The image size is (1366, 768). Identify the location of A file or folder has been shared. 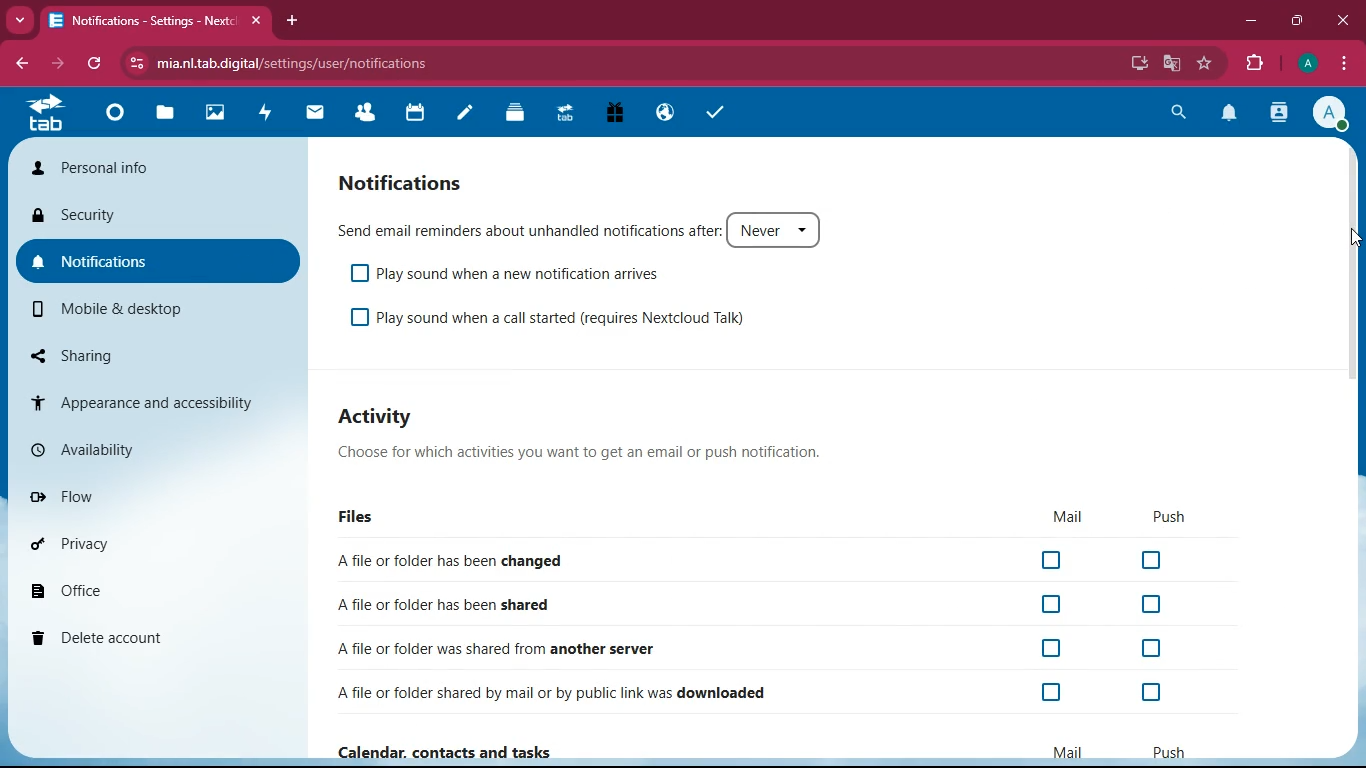
(753, 605).